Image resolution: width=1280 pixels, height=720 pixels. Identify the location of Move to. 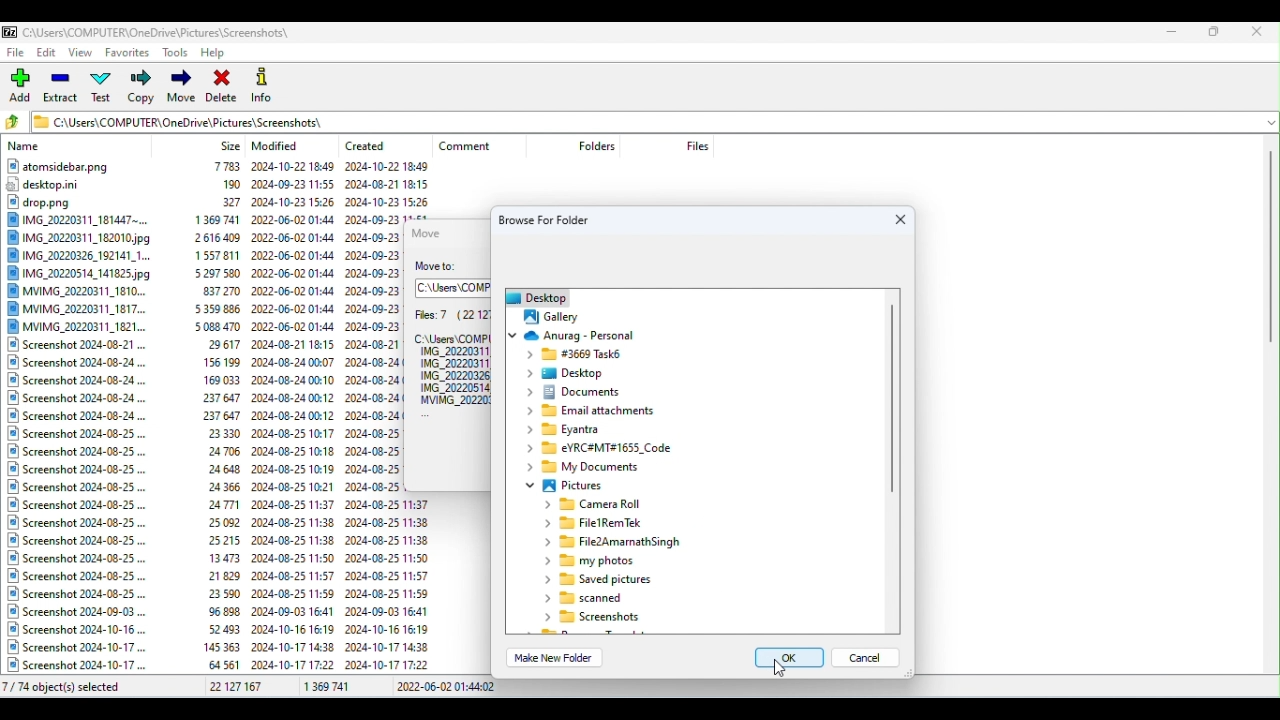
(443, 267).